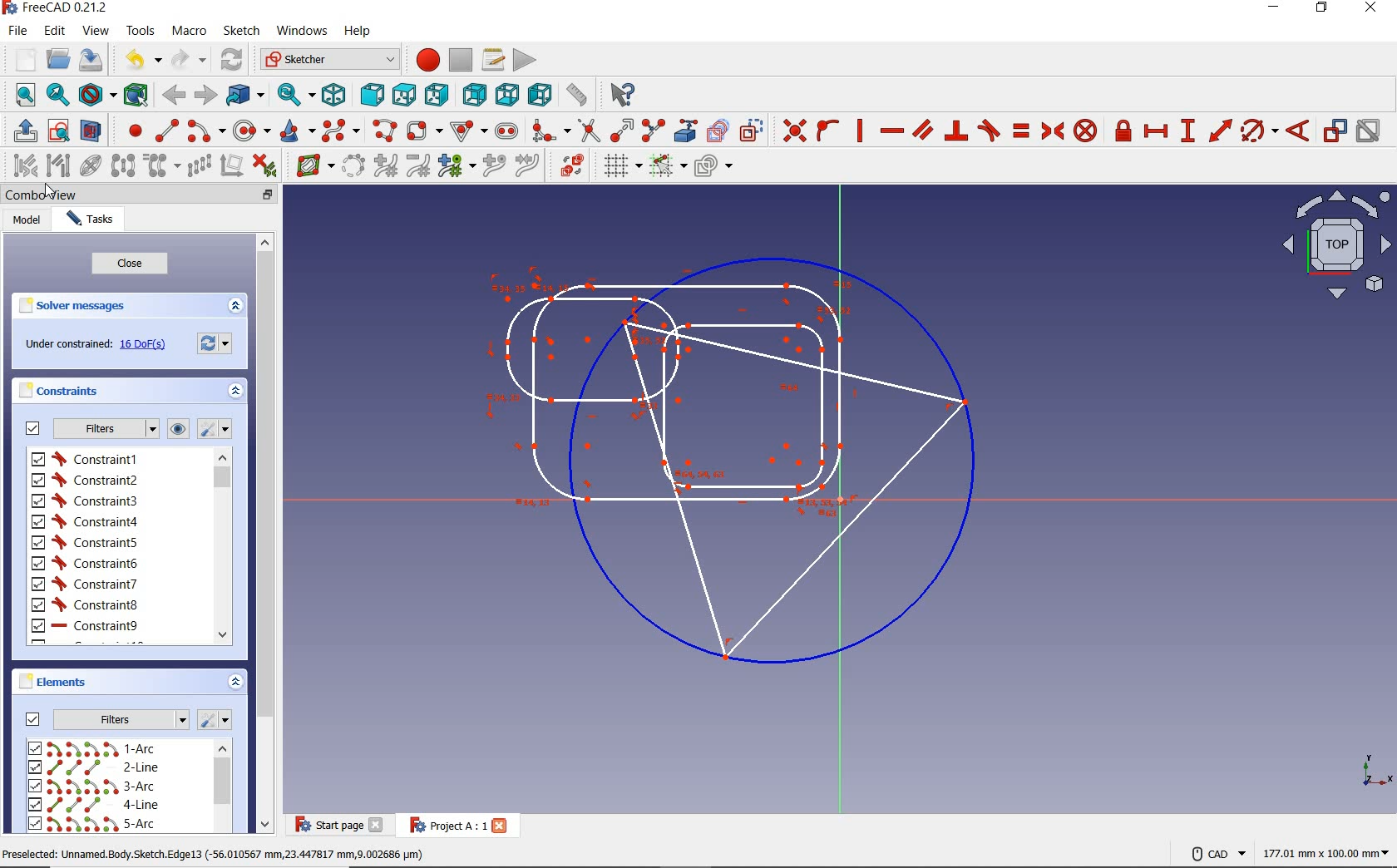  Describe the element at coordinates (620, 130) in the screenshot. I see `extend edge` at that location.